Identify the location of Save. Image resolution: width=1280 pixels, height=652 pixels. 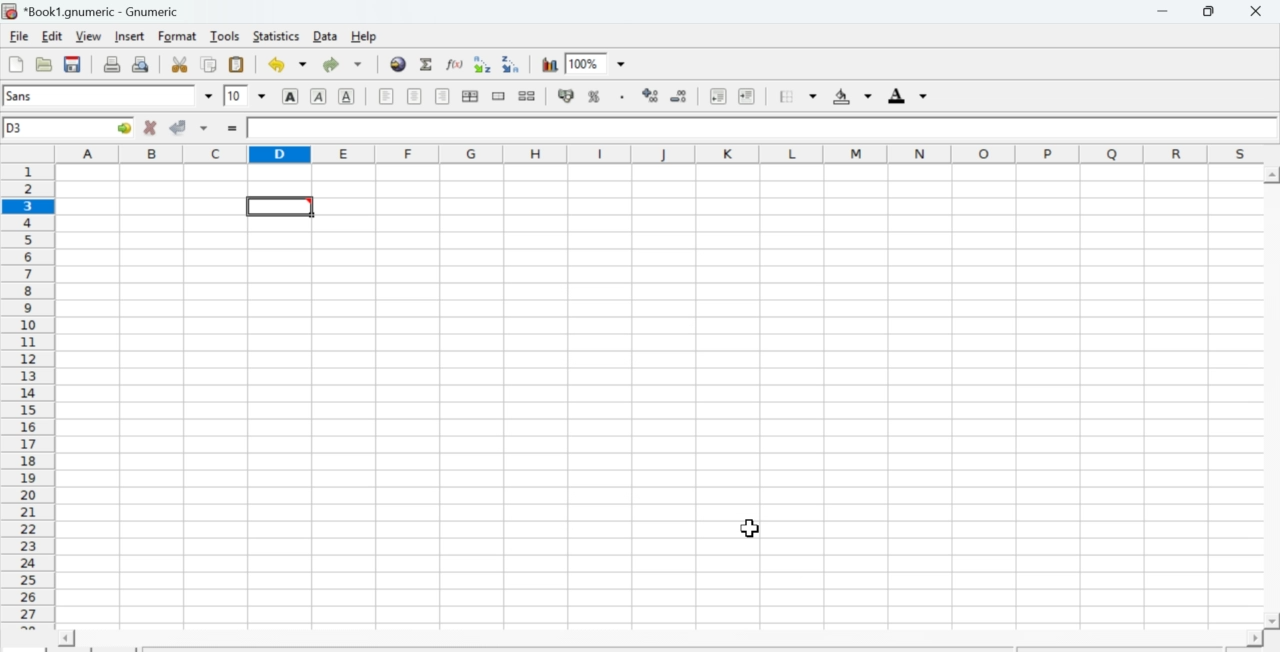
(72, 65).